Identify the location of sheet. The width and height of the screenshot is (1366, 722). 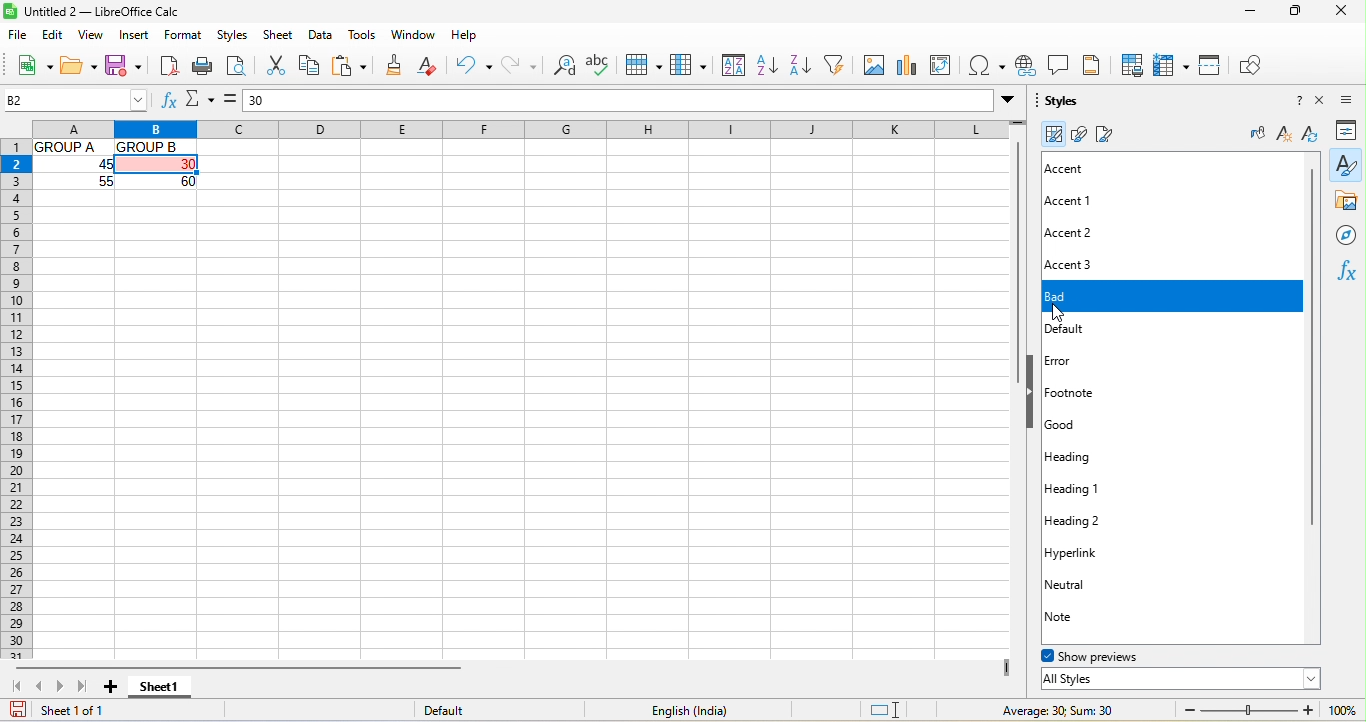
(280, 35).